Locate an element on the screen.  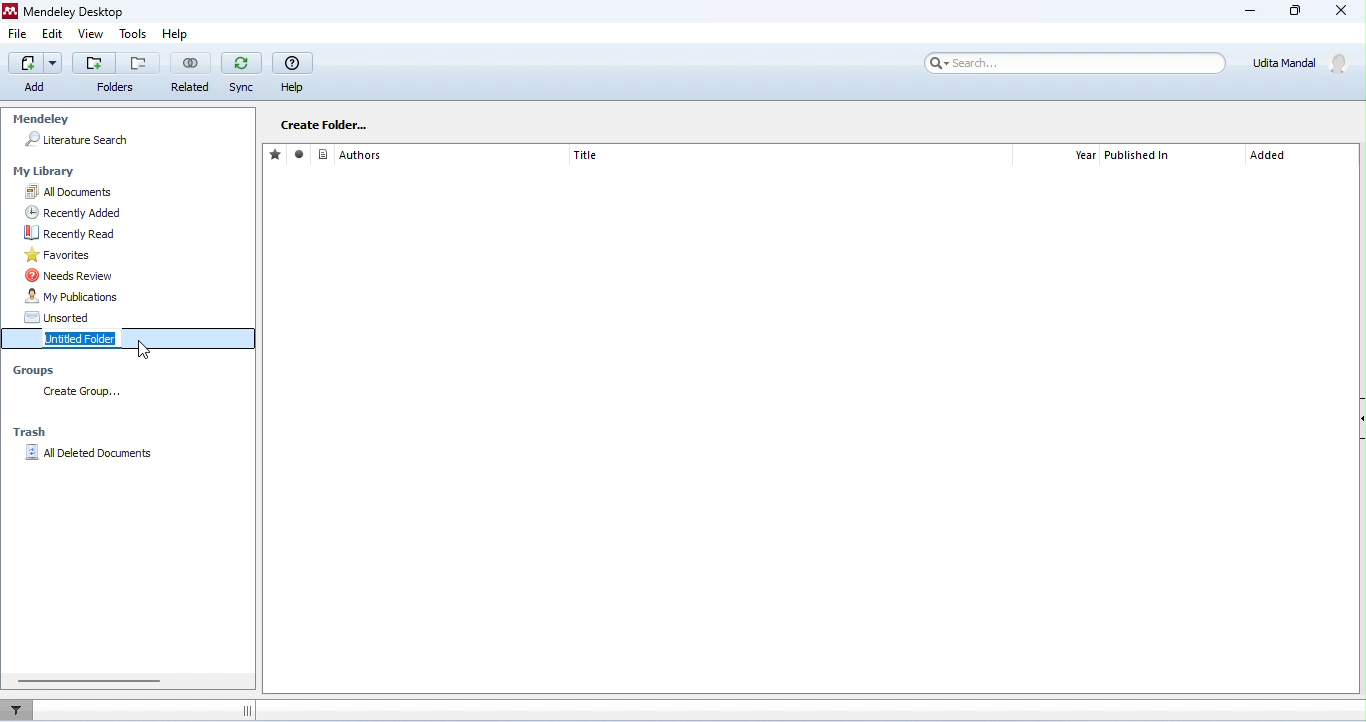
title is located at coordinates (586, 155).